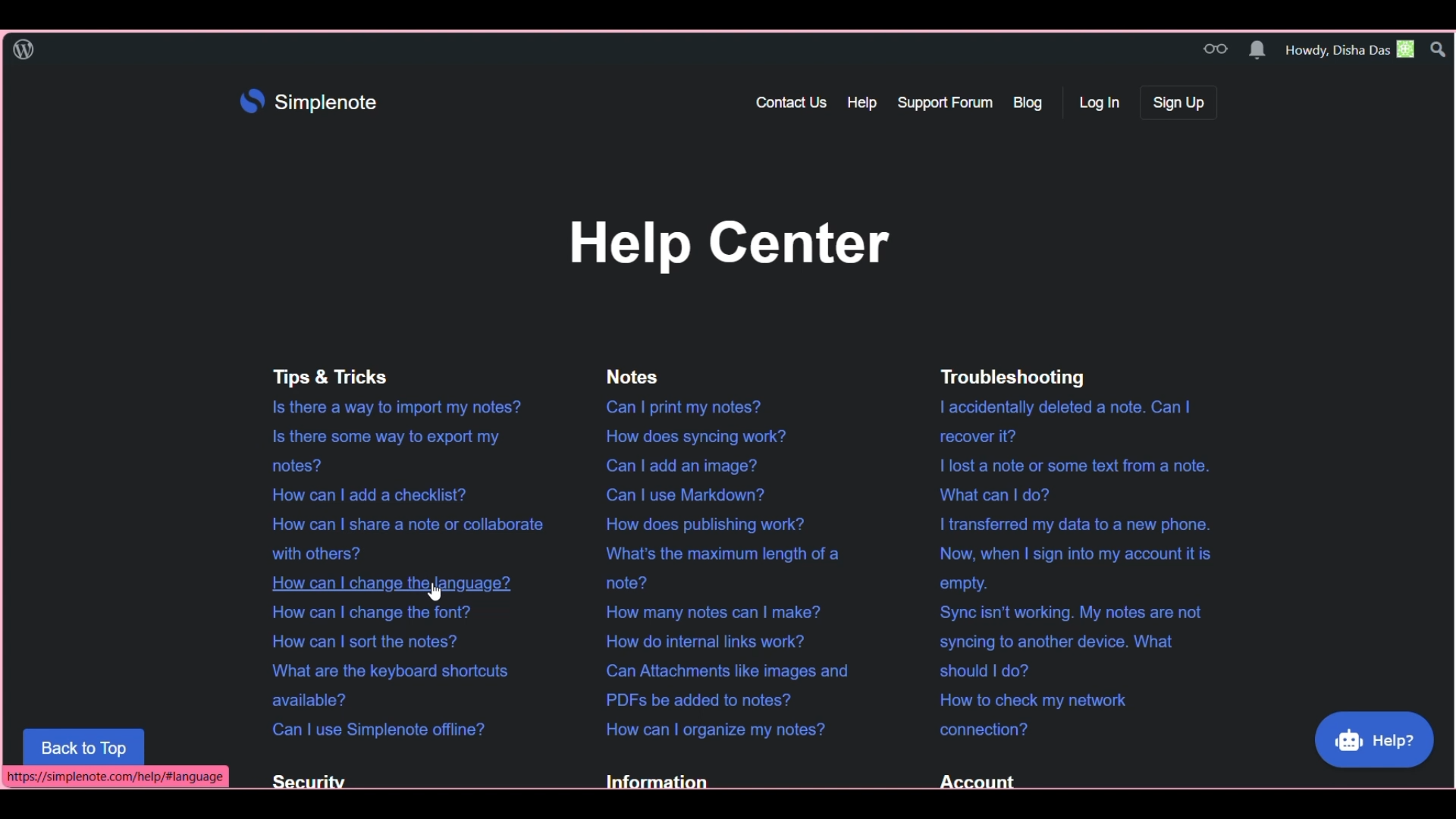 The height and width of the screenshot is (819, 1456). I want to click on Software name, so click(325, 102).